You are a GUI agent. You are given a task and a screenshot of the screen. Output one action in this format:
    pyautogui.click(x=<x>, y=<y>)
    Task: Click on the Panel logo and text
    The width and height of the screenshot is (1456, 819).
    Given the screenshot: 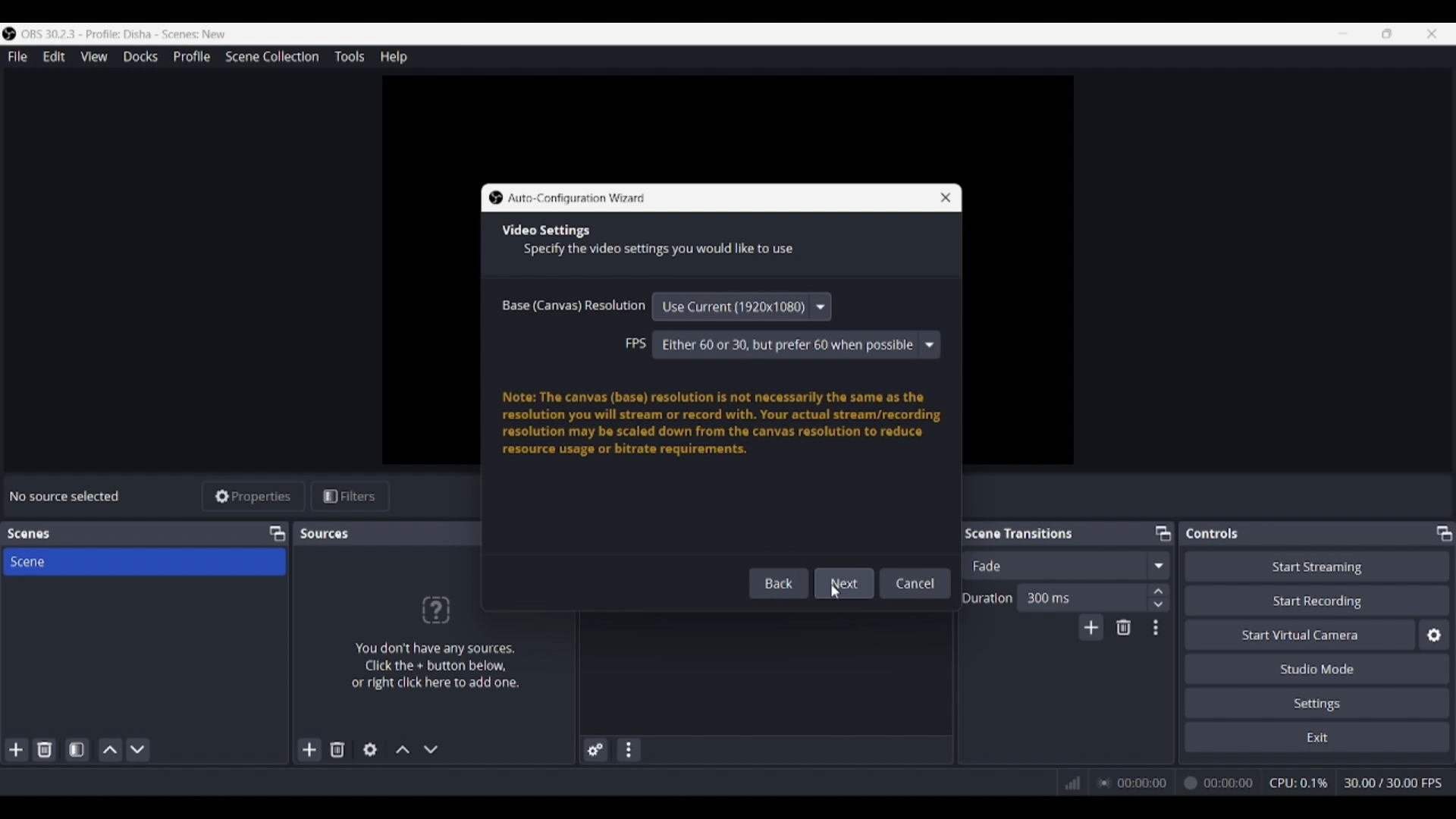 What is the action you would take?
    pyautogui.click(x=434, y=642)
    